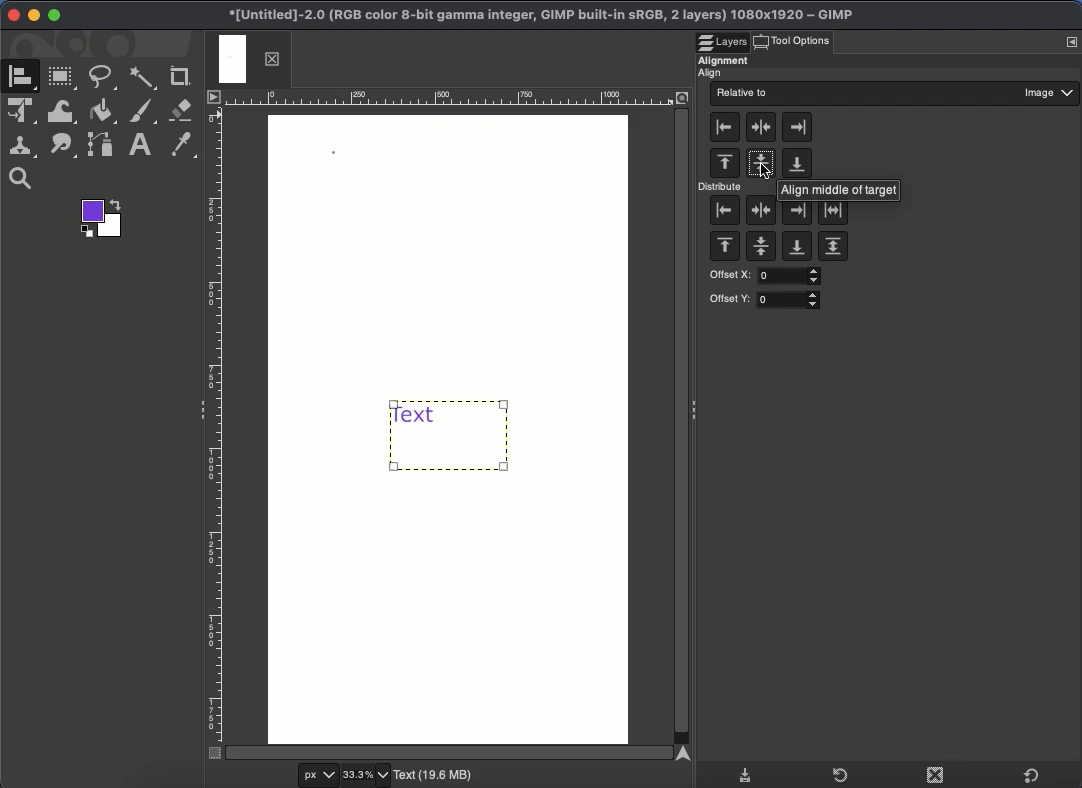 The height and width of the screenshot is (788, 1082). I want to click on Unified transformation, so click(24, 113).